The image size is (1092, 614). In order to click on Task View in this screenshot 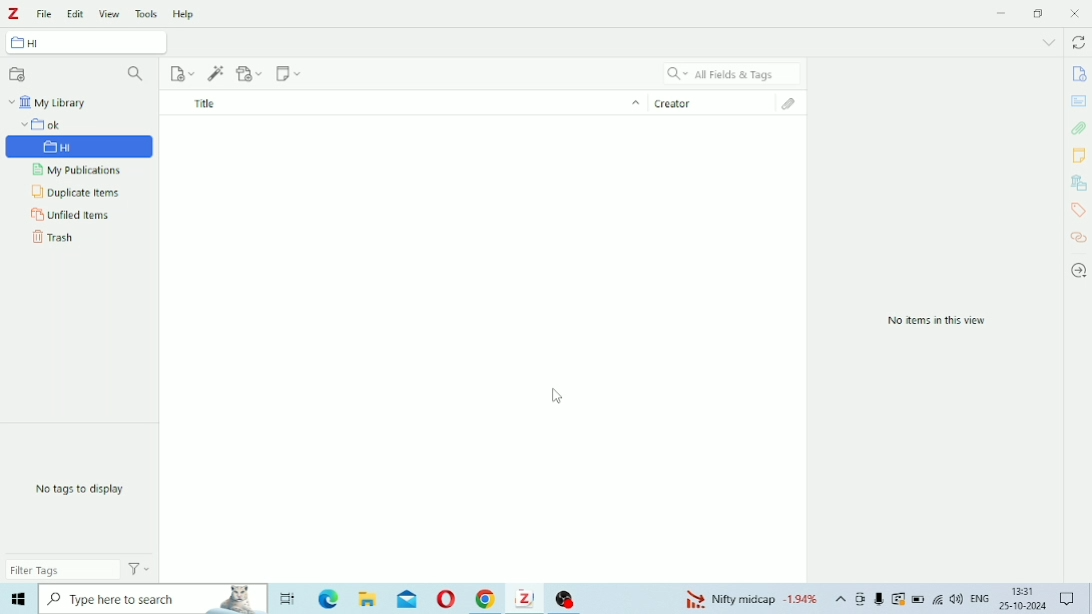, I will do `click(288, 599)`.